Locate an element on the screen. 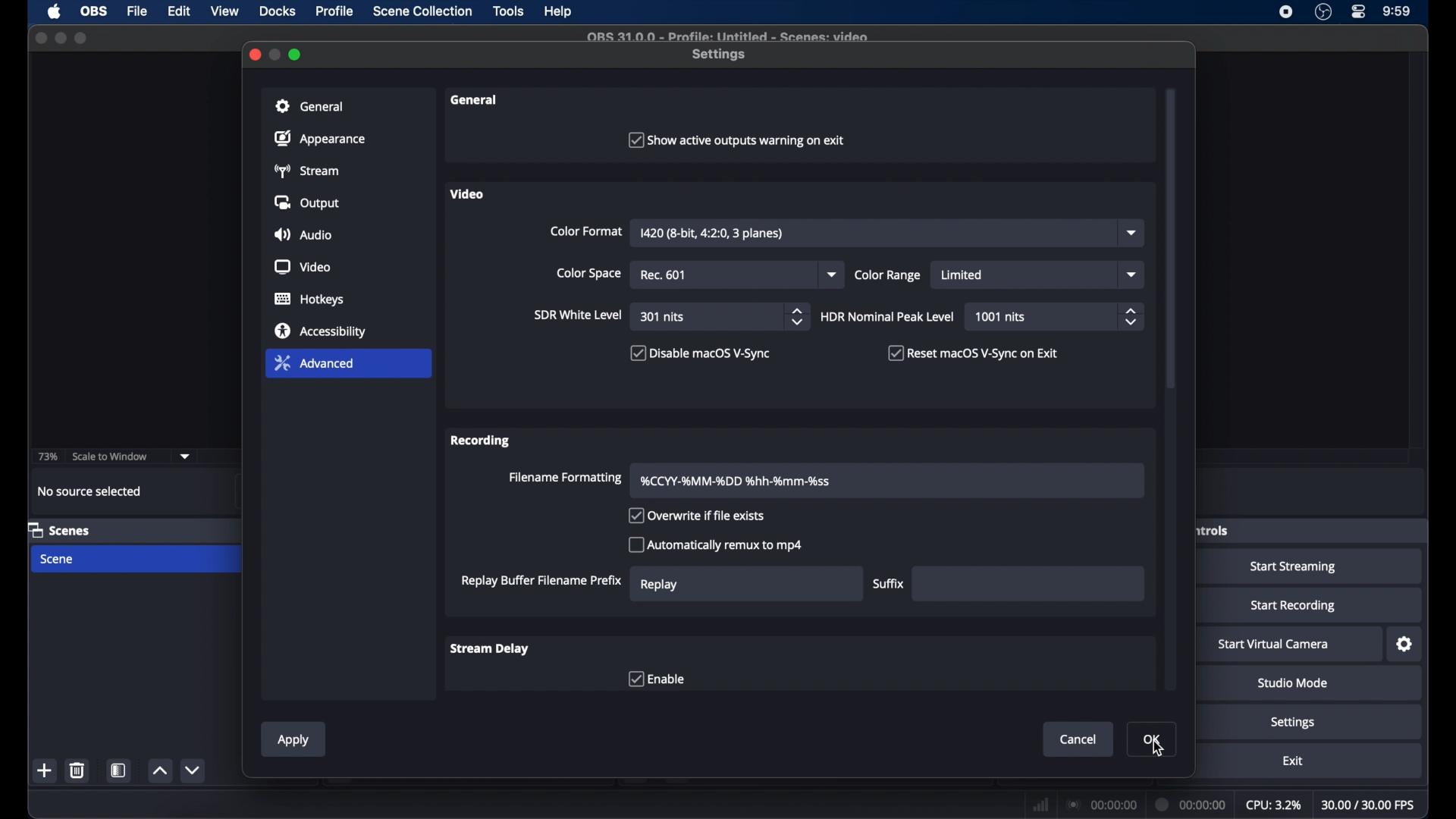 The height and width of the screenshot is (819, 1456). network is located at coordinates (1040, 803).